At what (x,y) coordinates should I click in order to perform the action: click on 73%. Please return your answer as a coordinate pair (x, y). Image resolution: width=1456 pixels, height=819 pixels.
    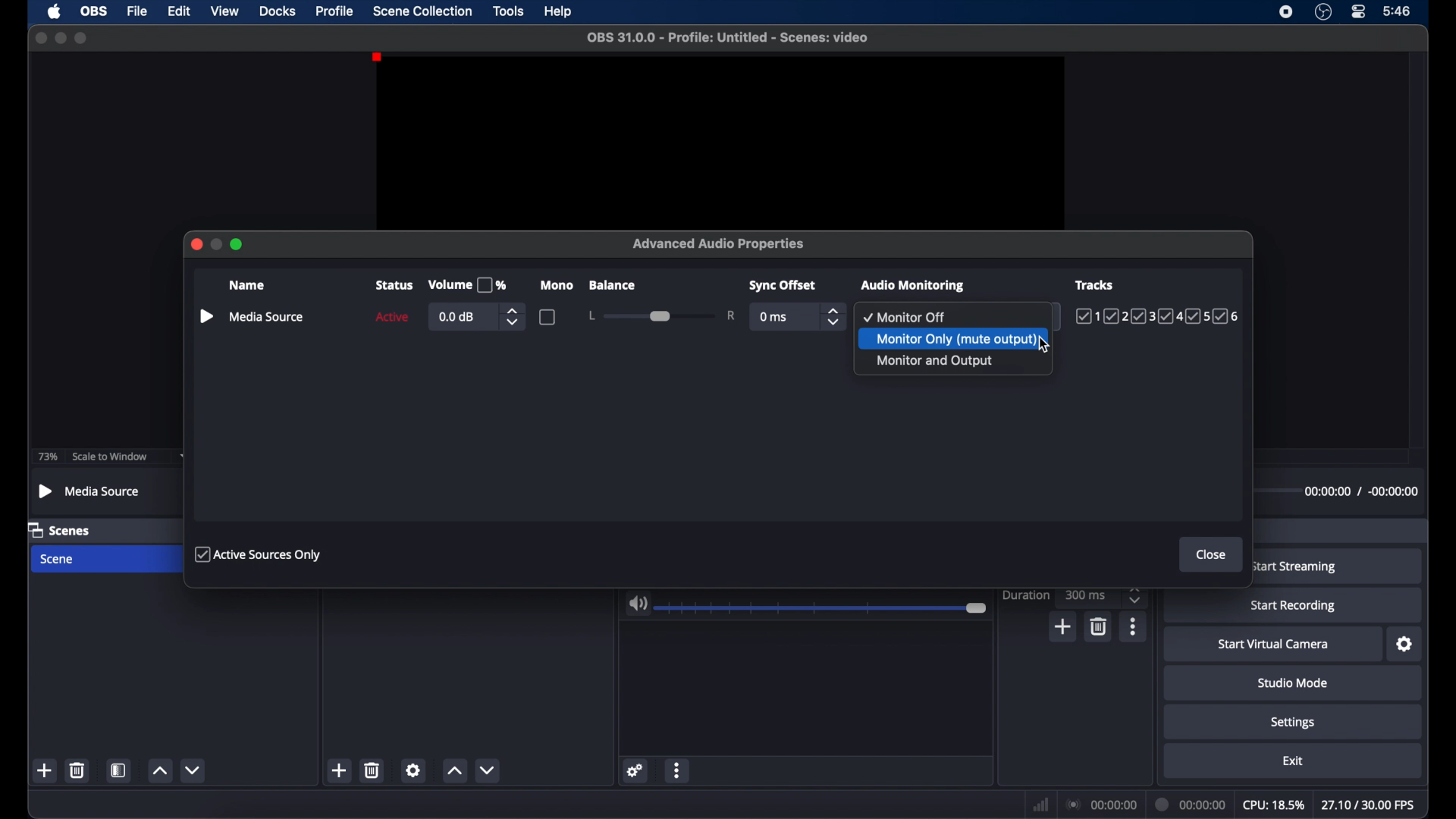
    Looking at the image, I should click on (47, 457).